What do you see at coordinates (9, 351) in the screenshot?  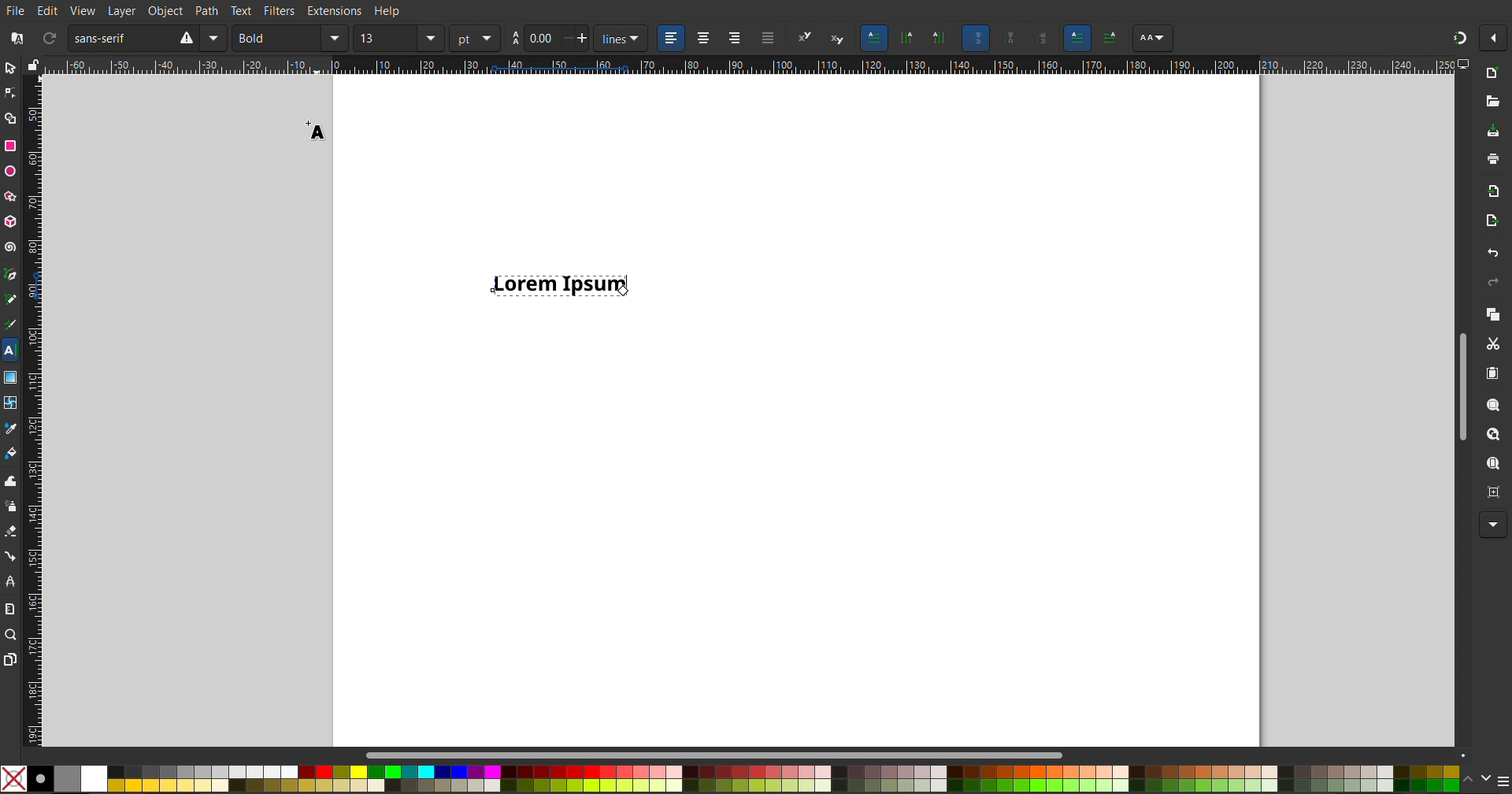 I see `Text Tool` at bounding box center [9, 351].